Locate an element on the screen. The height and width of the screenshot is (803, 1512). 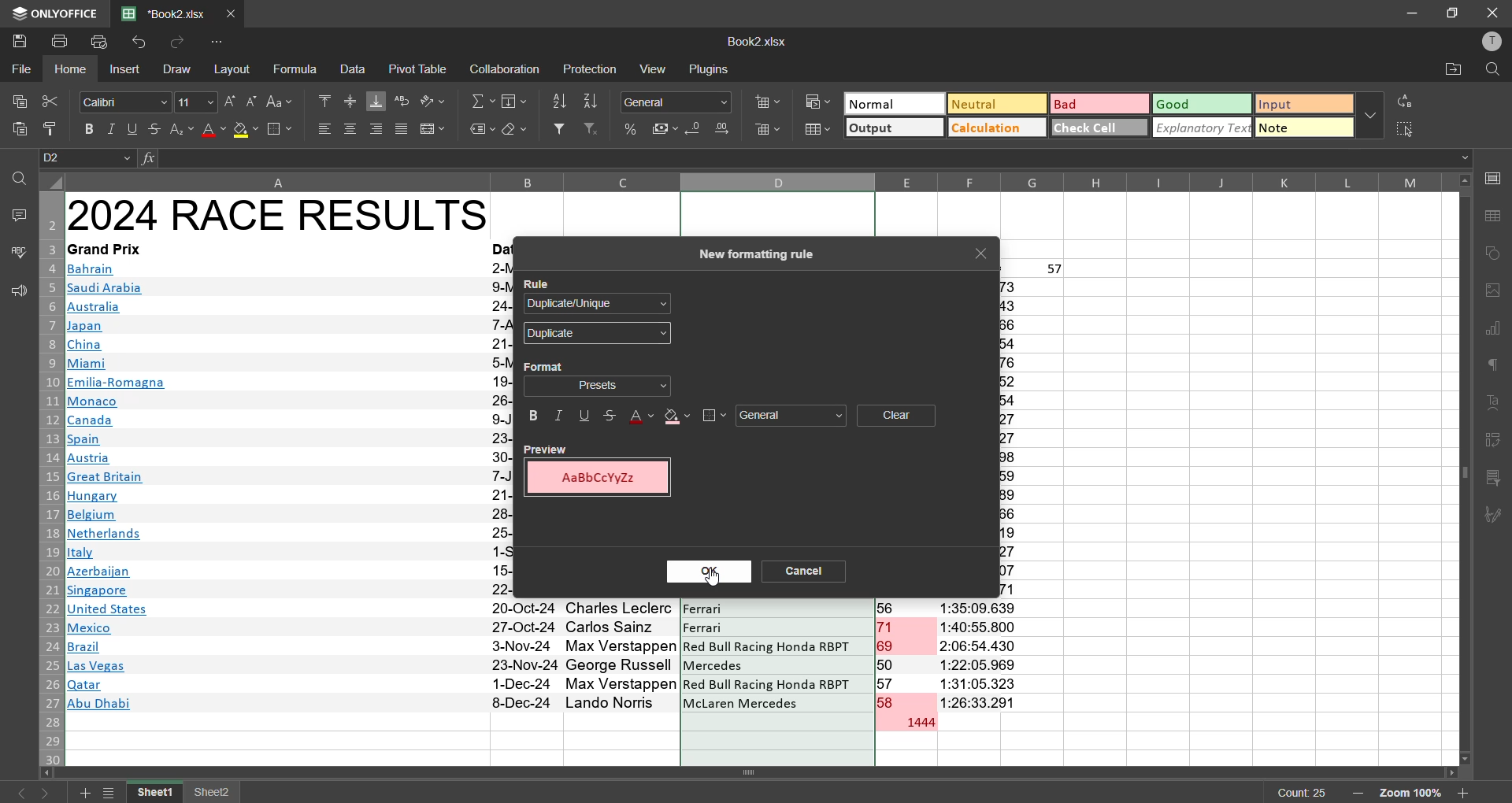
fields is located at coordinates (517, 101).